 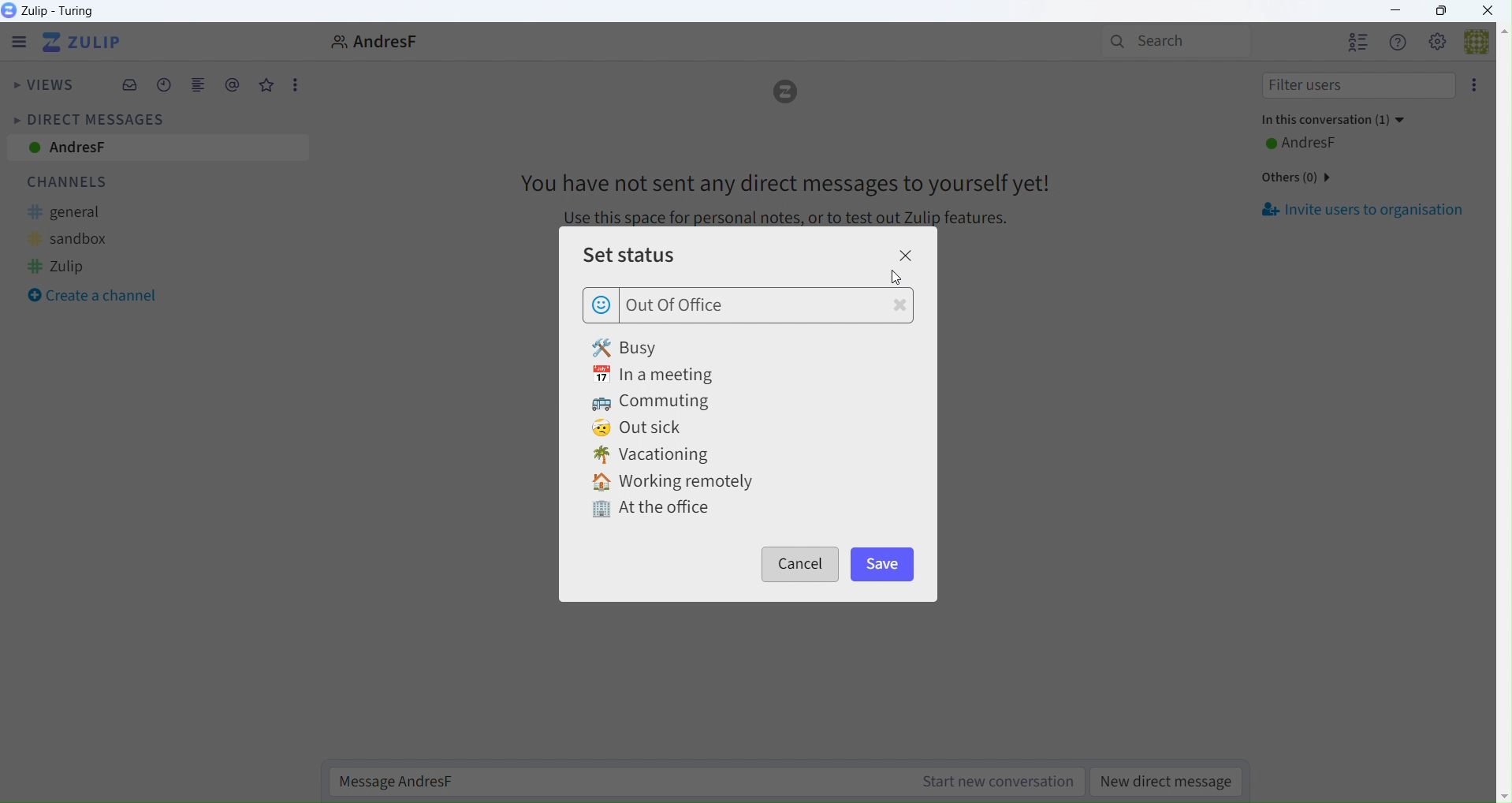 I want to click on AndresF, so click(x=155, y=149).